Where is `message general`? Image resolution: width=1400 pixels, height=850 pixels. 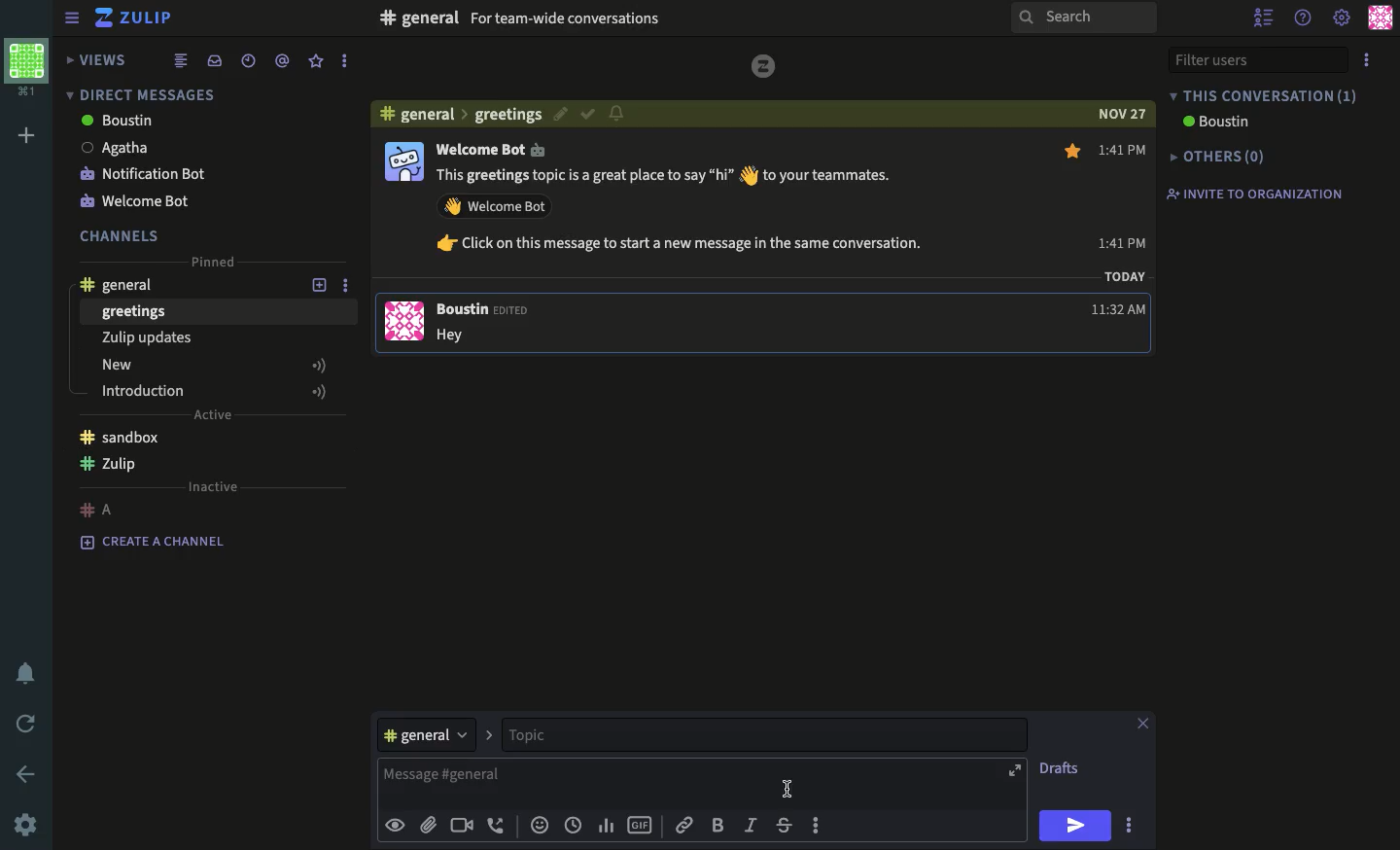
message general is located at coordinates (687, 785).